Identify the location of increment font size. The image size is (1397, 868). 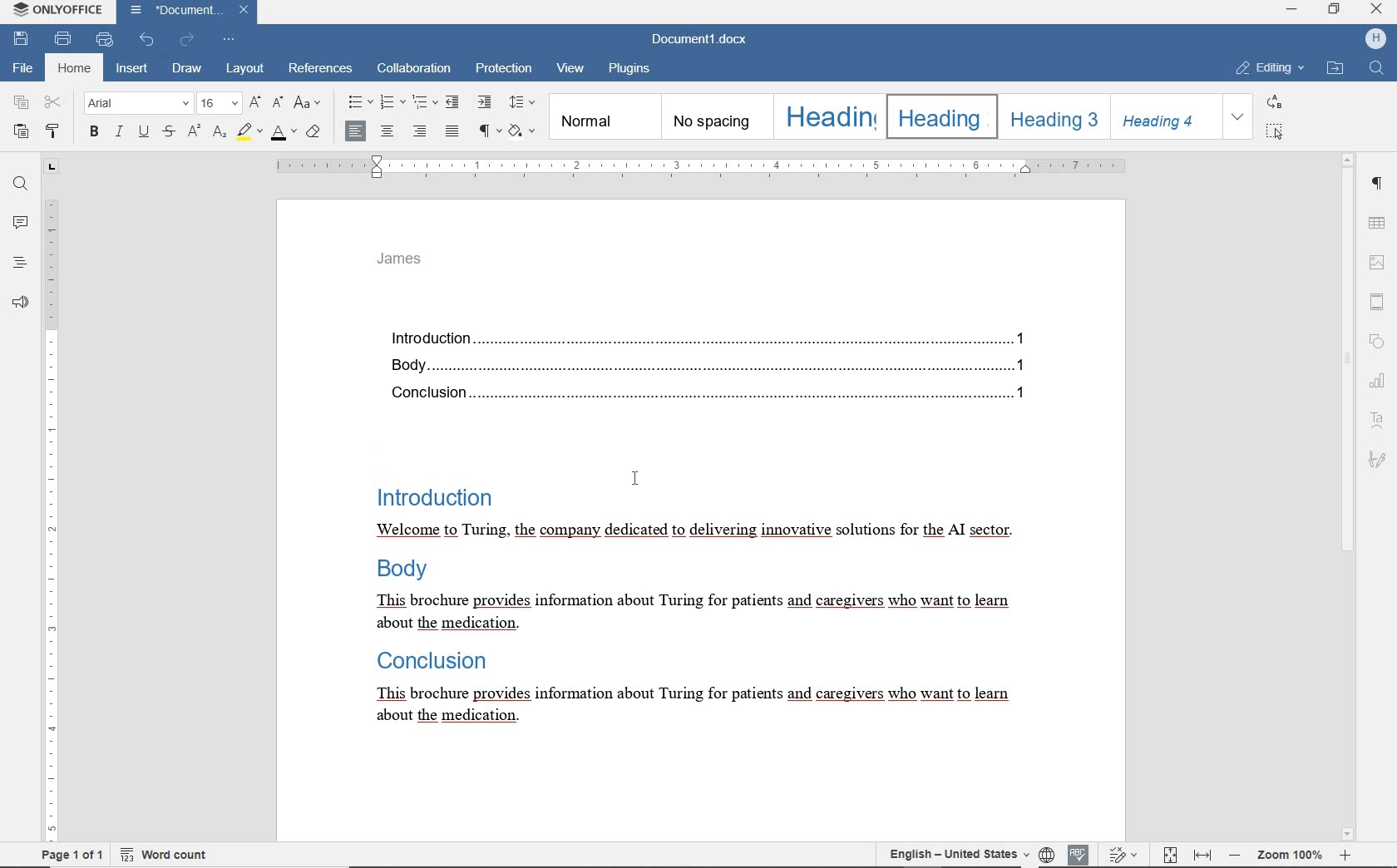
(254, 103).